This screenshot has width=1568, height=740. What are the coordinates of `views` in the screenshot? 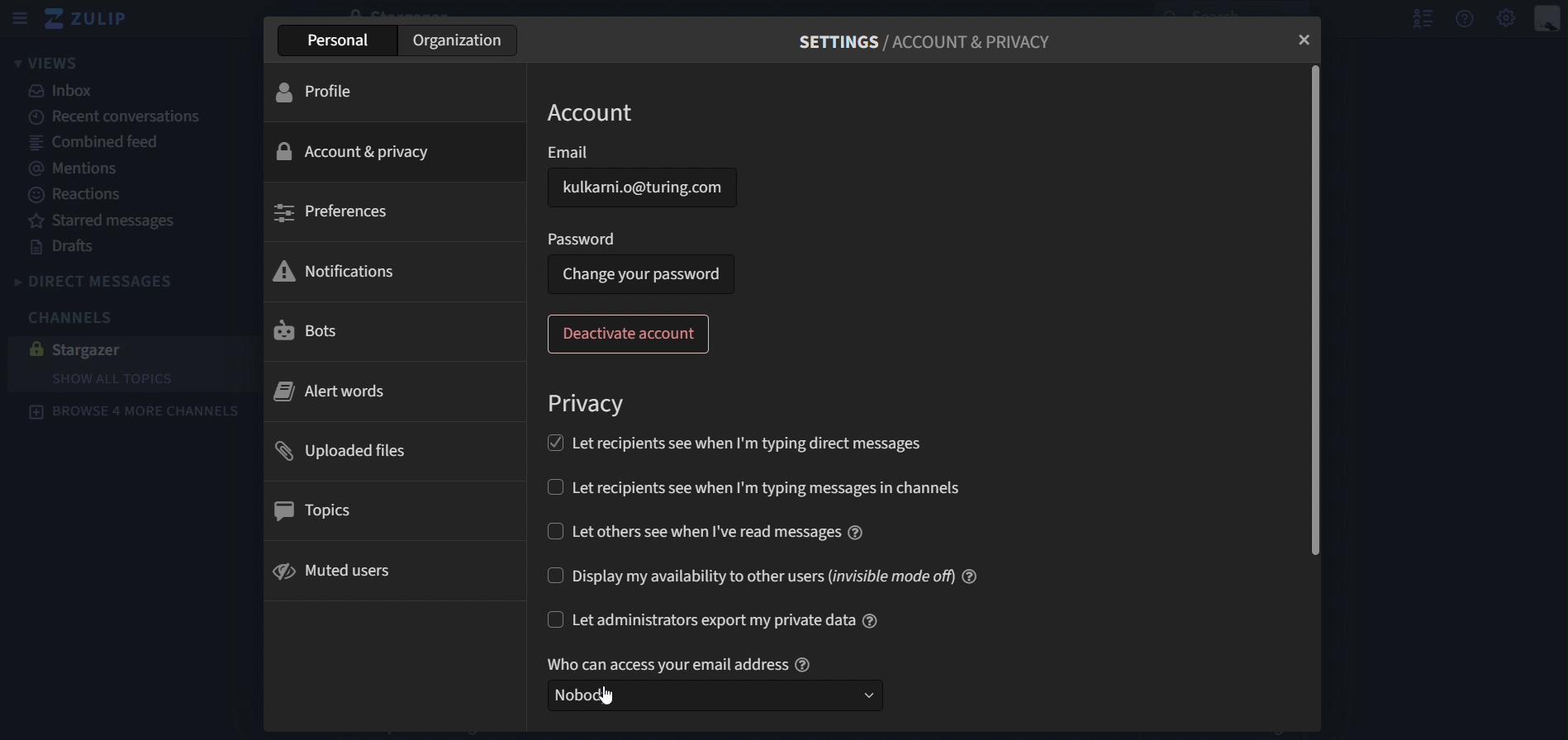 It's located at (46, 64).